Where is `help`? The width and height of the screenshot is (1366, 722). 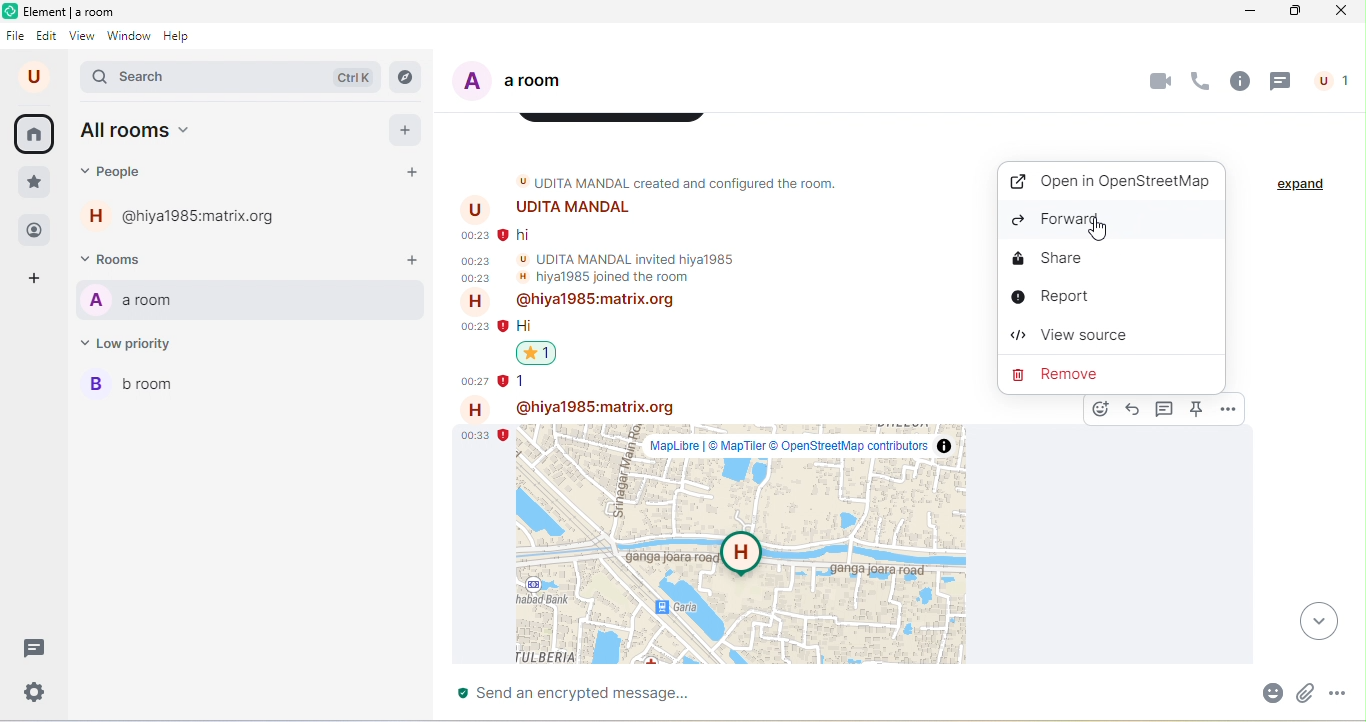 help is located at coordinates (177, 37).